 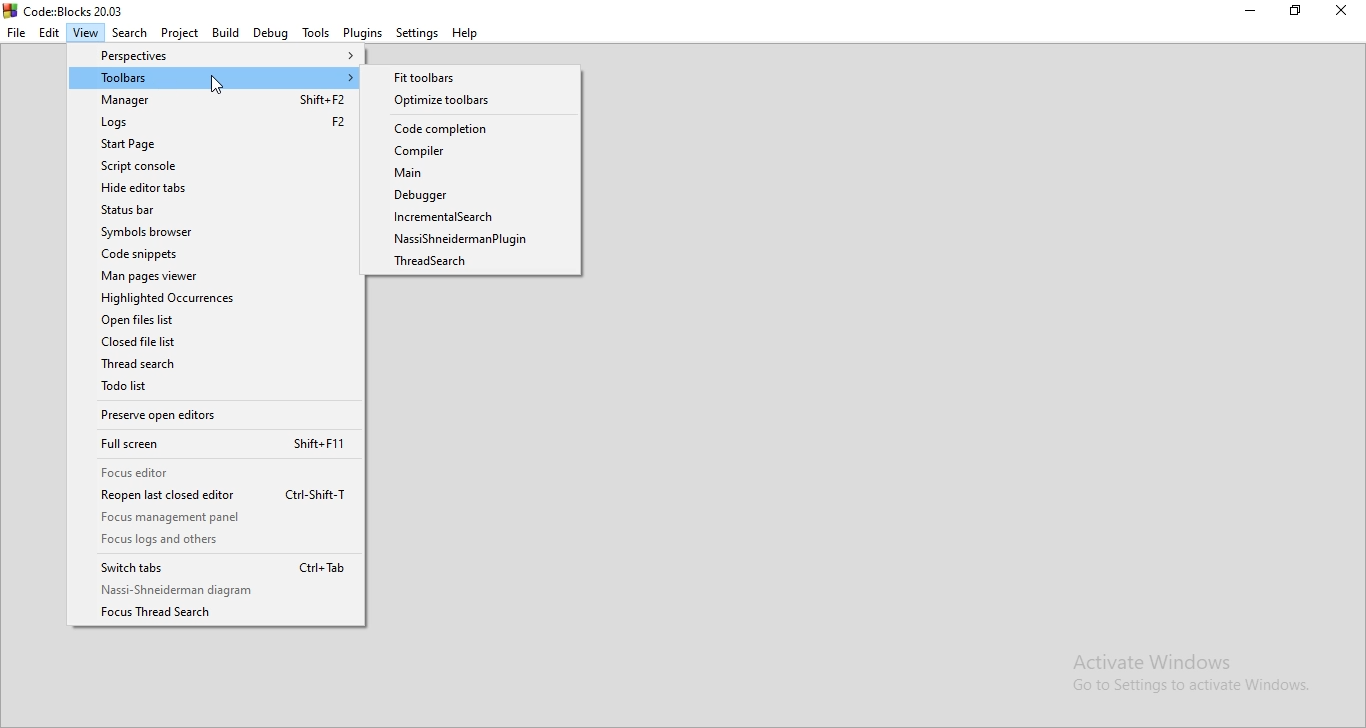 What do you see at coordinates (215, 144) in the screenshot?
I see `Start Page` at bounding box center [215, 144].